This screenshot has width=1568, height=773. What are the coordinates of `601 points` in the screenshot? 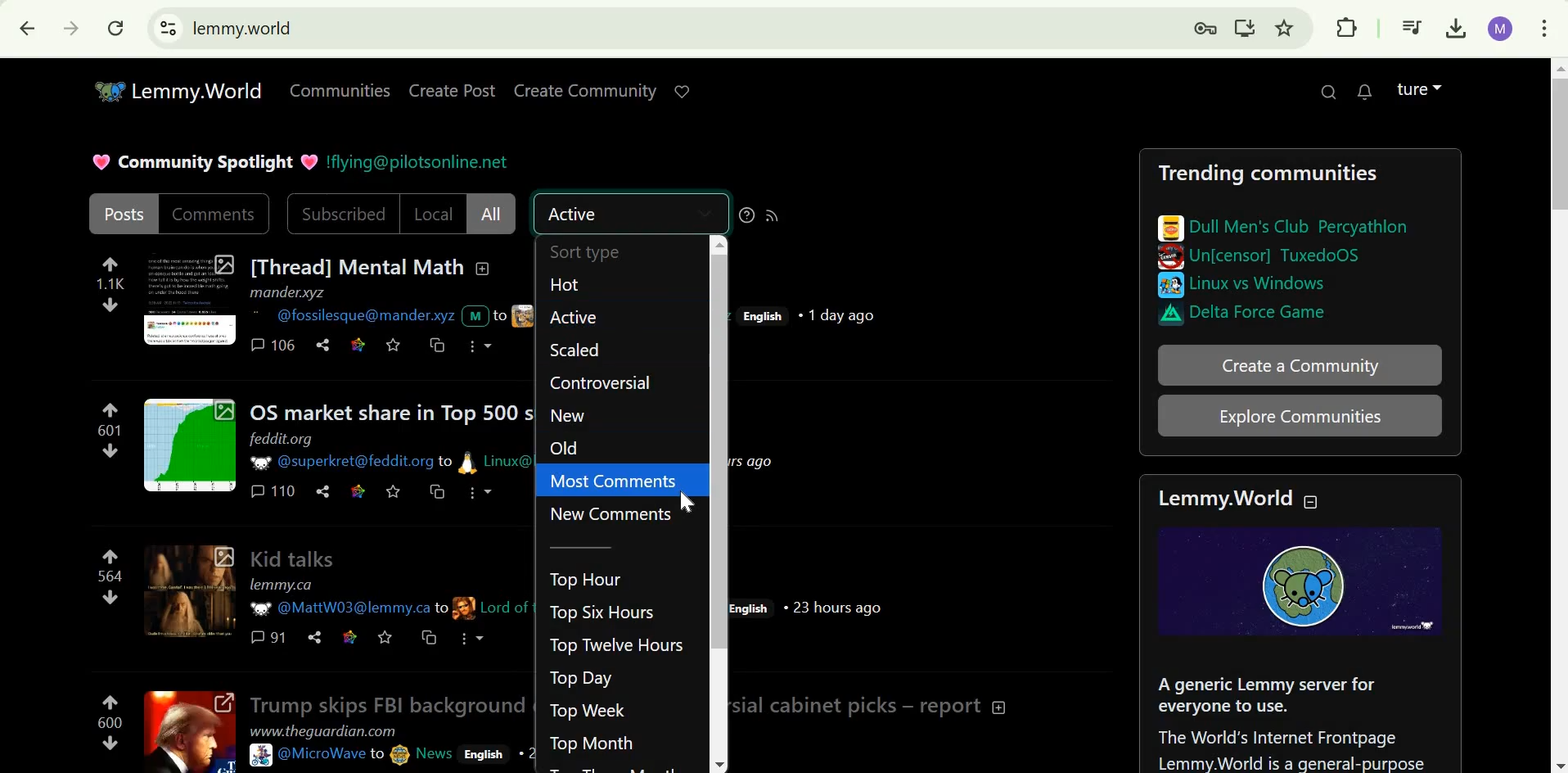 It's located at (110, 430).